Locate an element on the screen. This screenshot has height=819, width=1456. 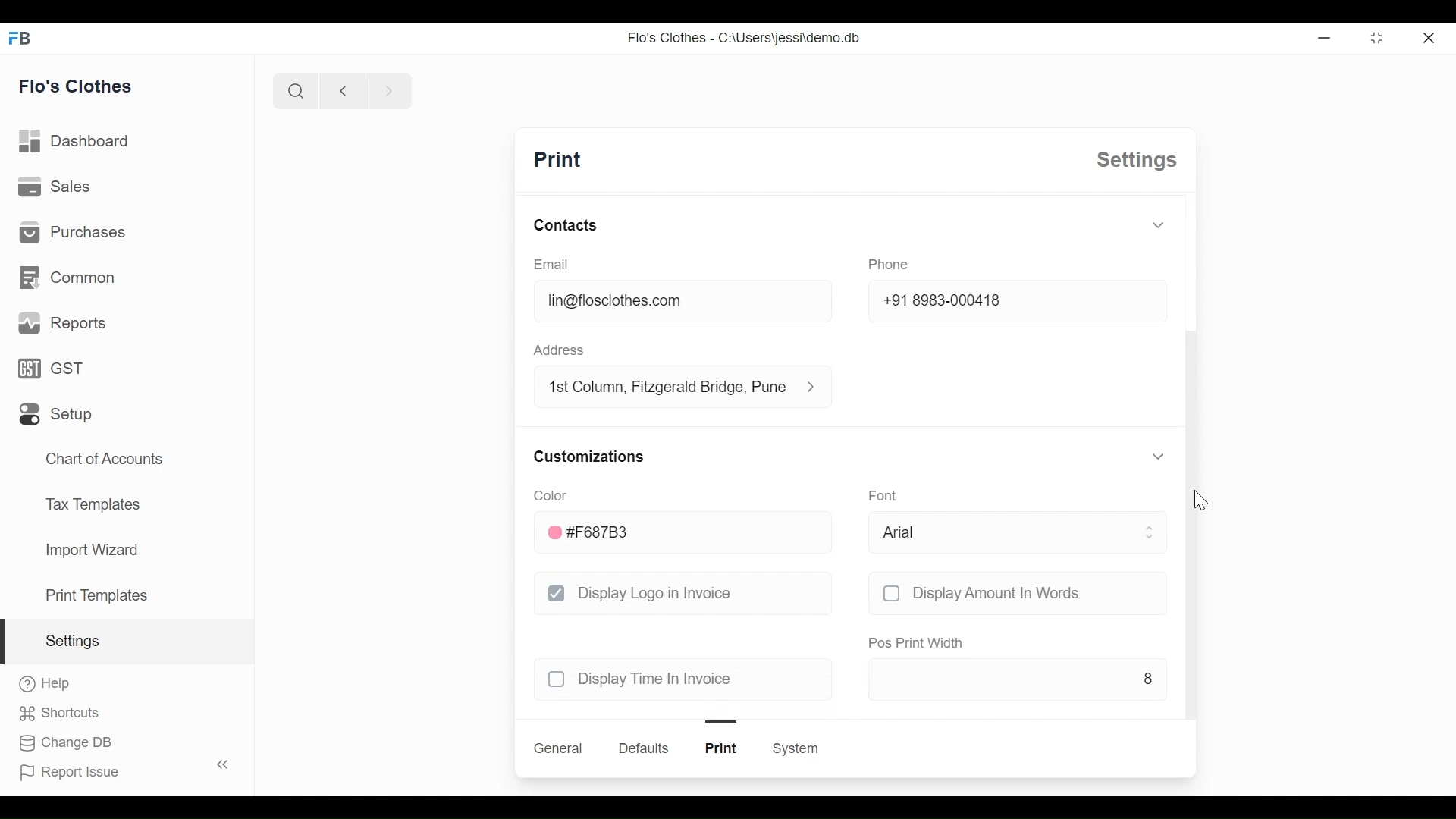
Minimize is located at coordinates (1322, 37).